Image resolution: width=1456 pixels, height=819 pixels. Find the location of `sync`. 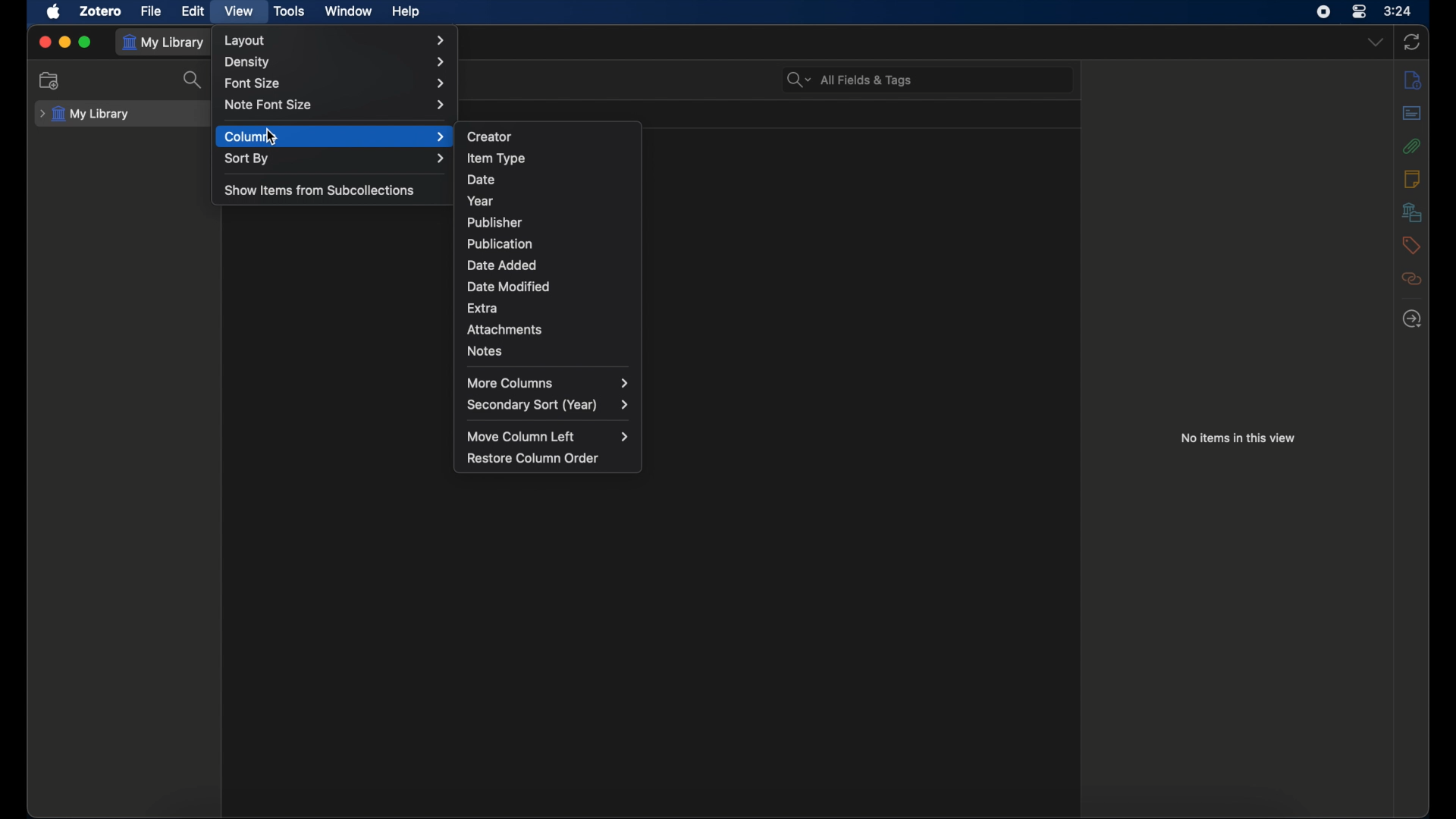

sync is located at coordinates (1412, 42).